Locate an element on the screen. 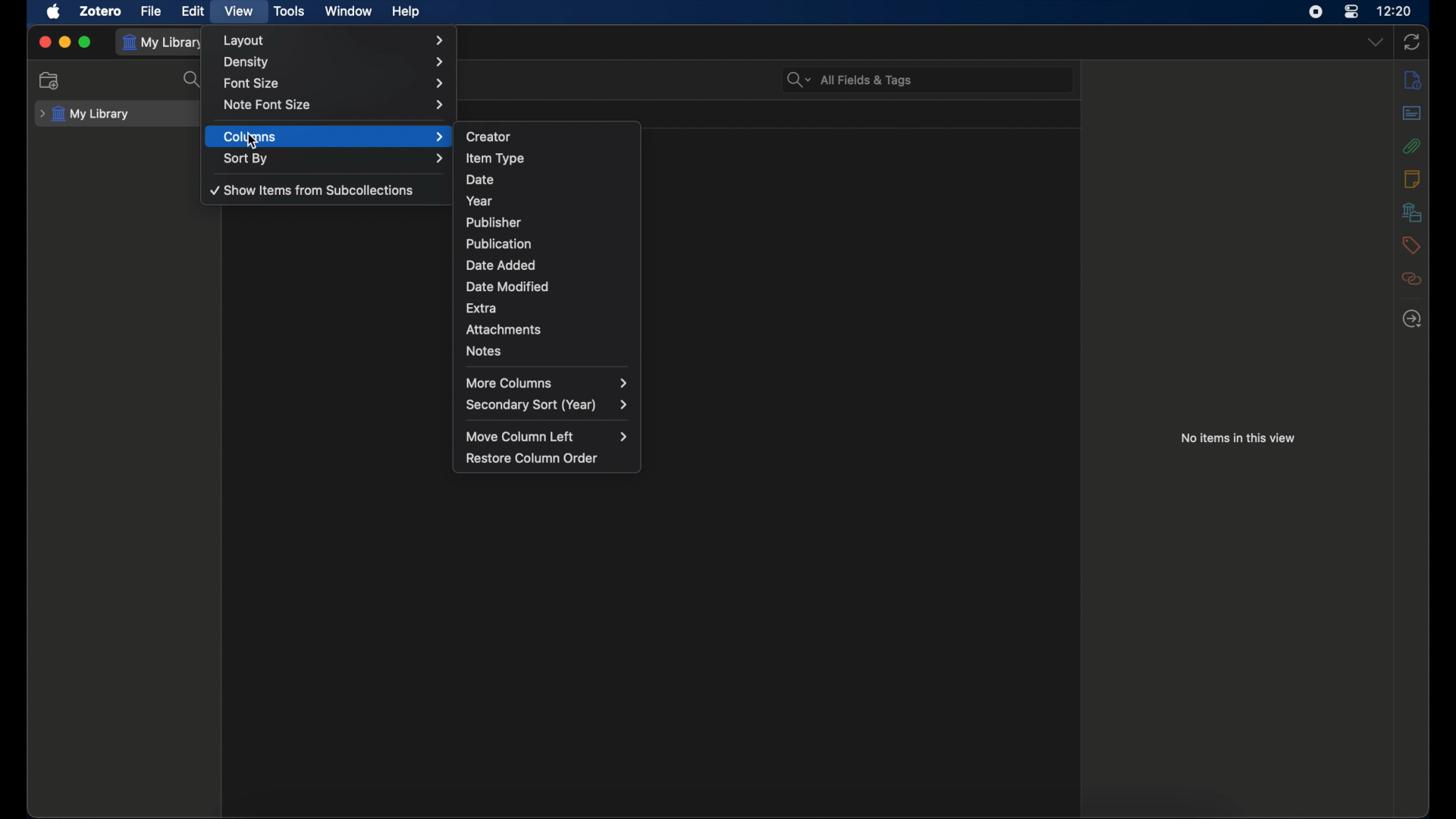  year is located at coordinates (479, 200).